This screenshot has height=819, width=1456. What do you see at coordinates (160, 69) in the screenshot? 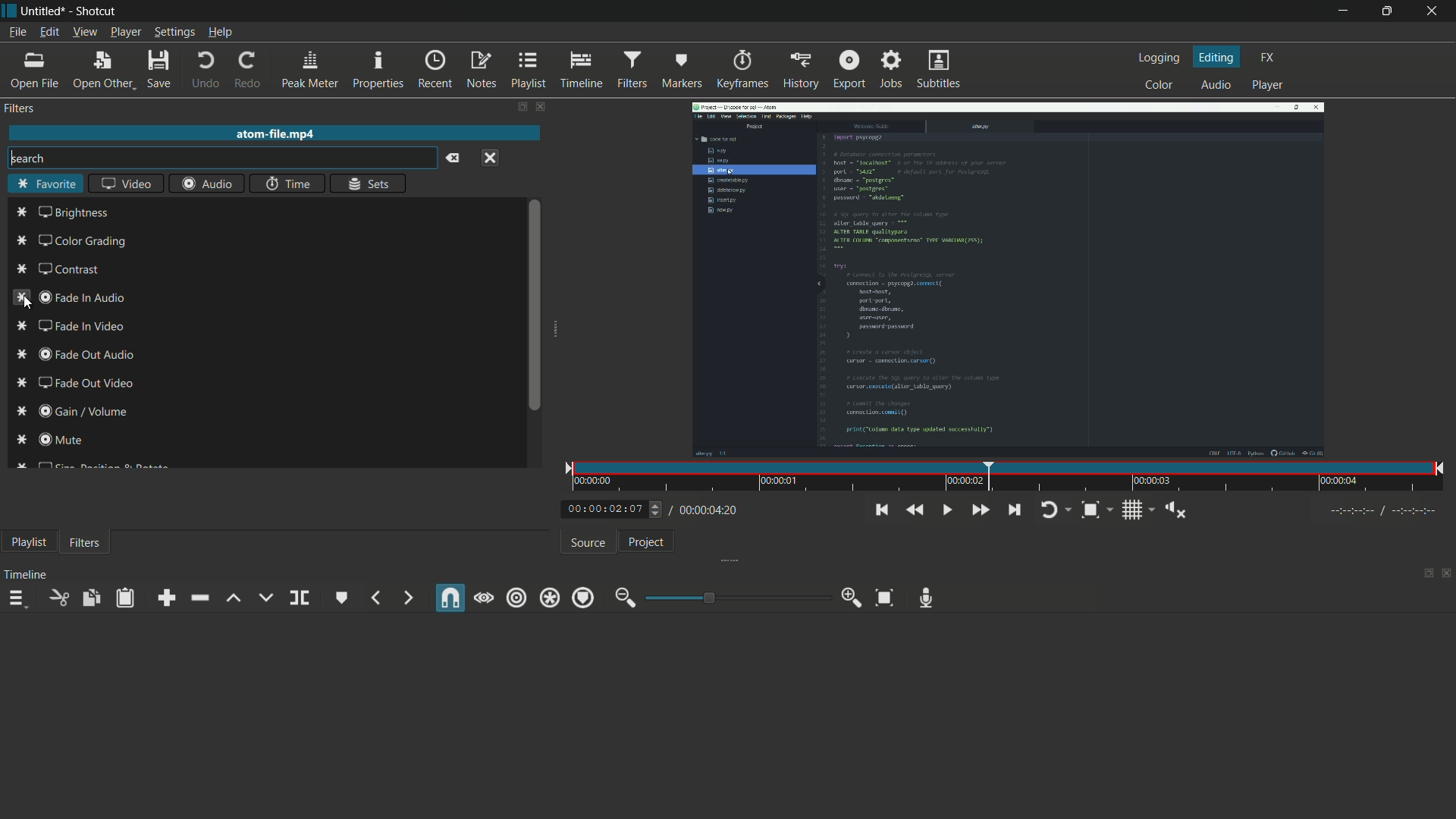
I see `save` at bounding box center [160, 69].